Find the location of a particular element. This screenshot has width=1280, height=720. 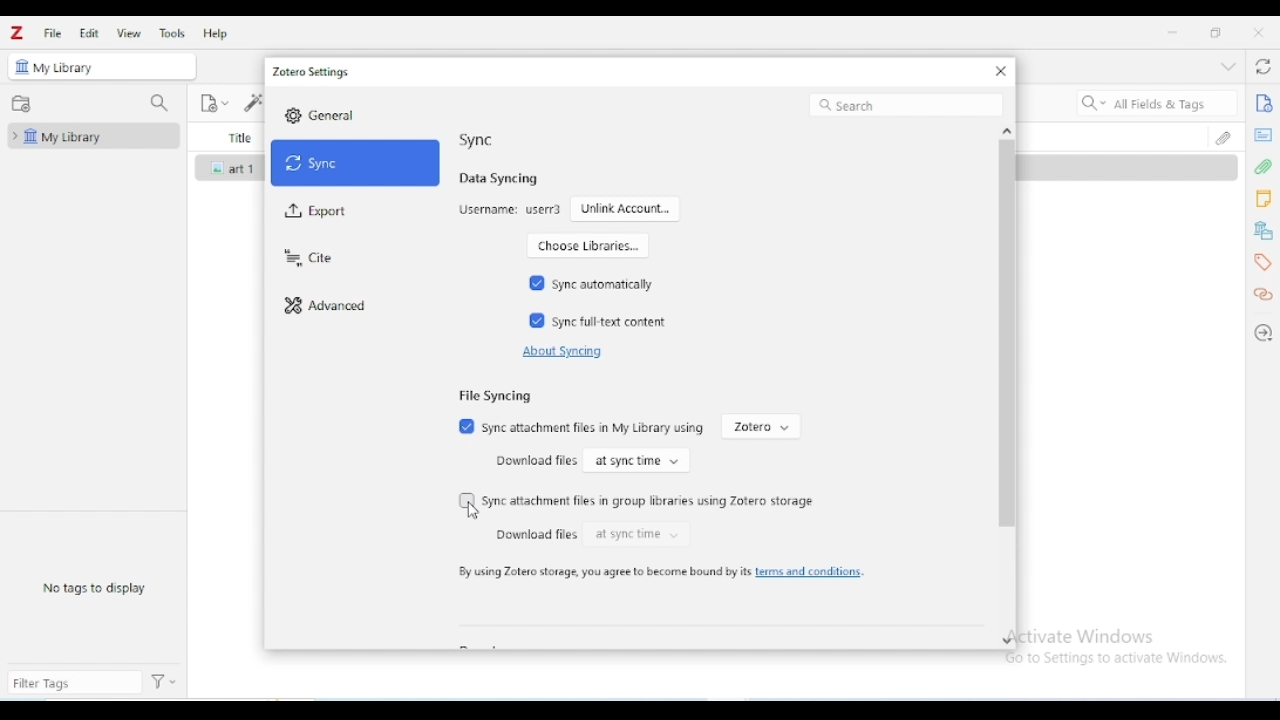

data syncing is located at coordinates (499, 178).